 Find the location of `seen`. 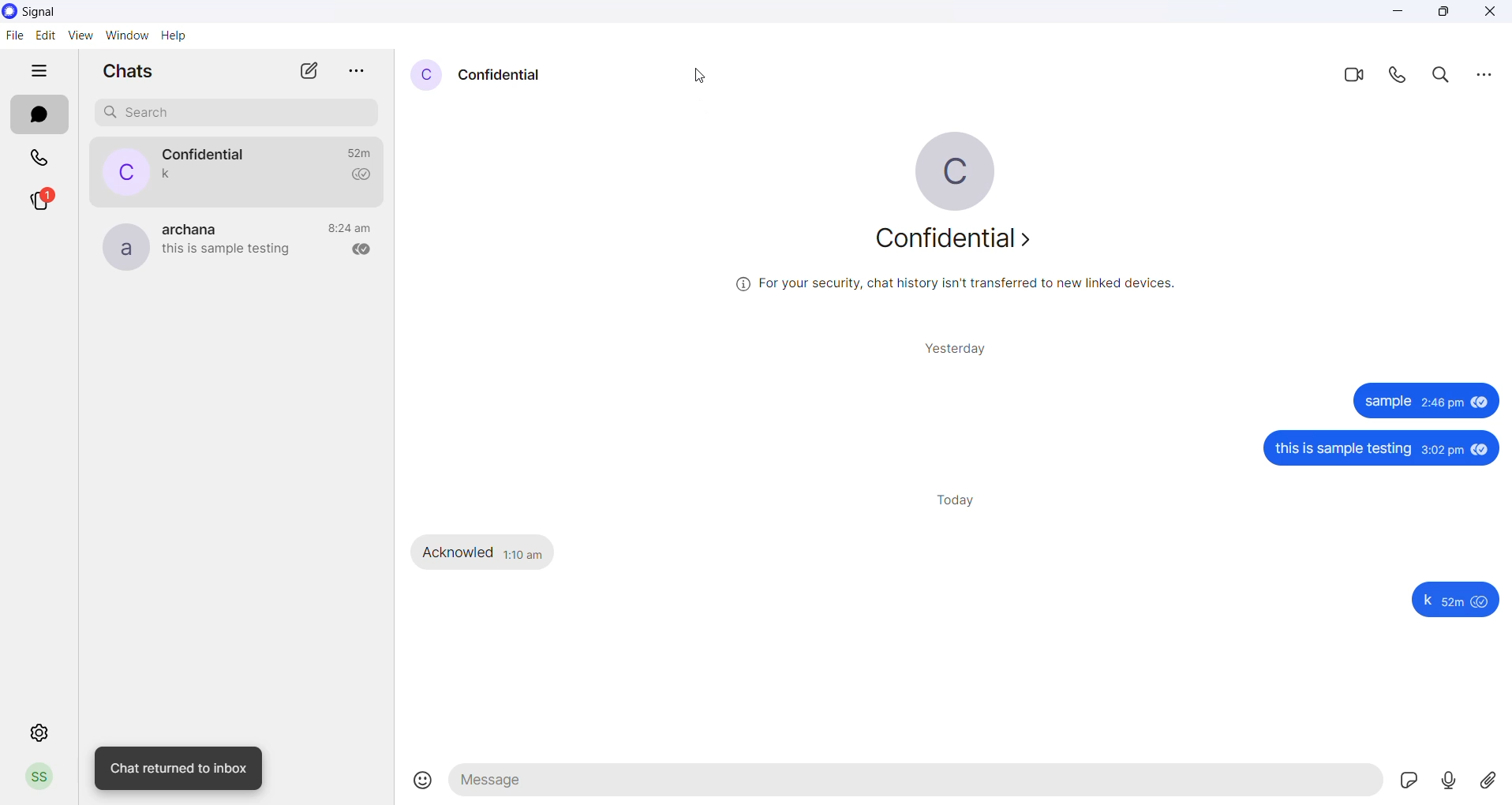

seen is located at coordinates (1480, 403).